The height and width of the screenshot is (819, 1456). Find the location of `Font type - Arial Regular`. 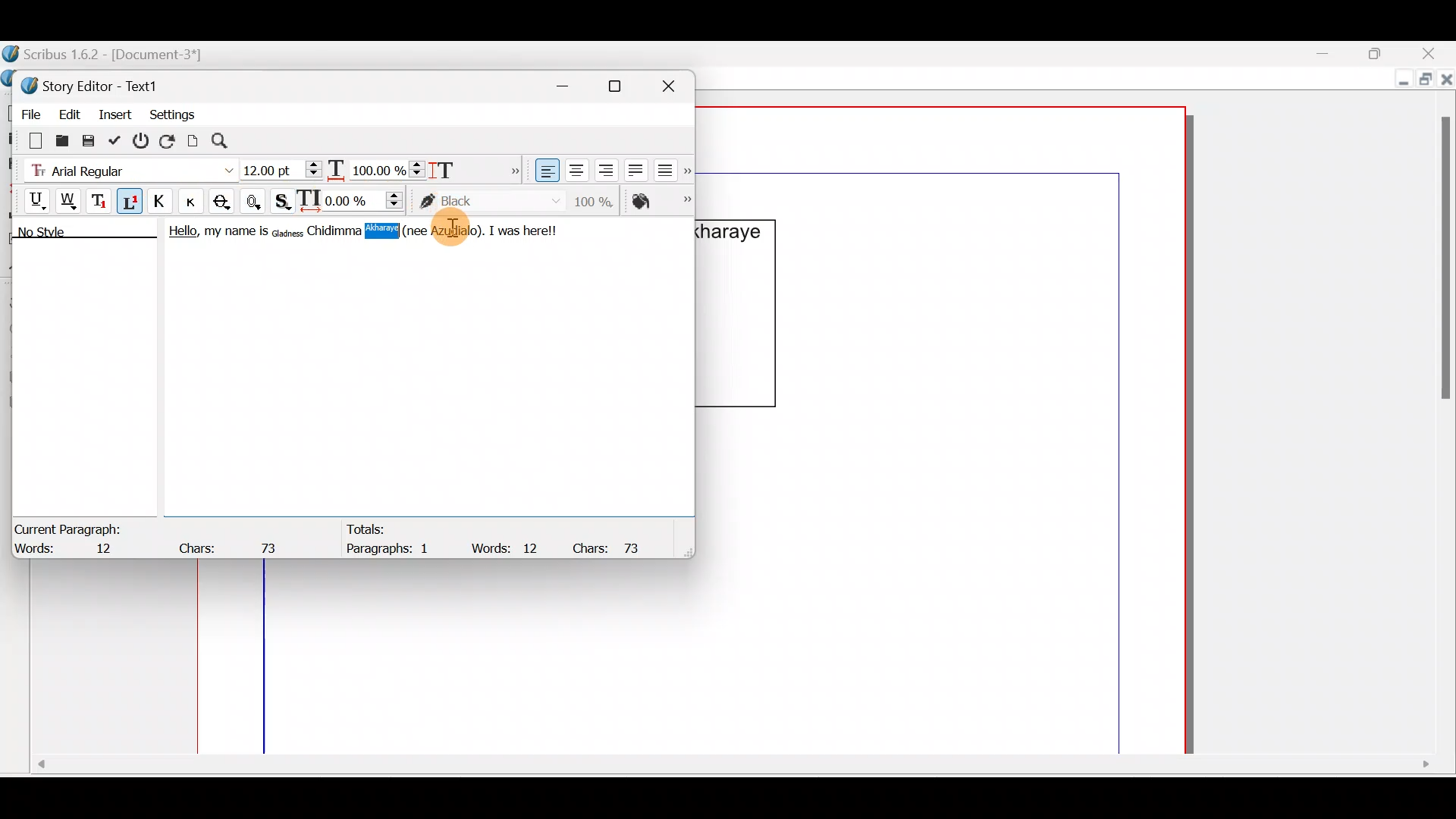

Font type - Arial Regular is located at coordinates (126, 168).